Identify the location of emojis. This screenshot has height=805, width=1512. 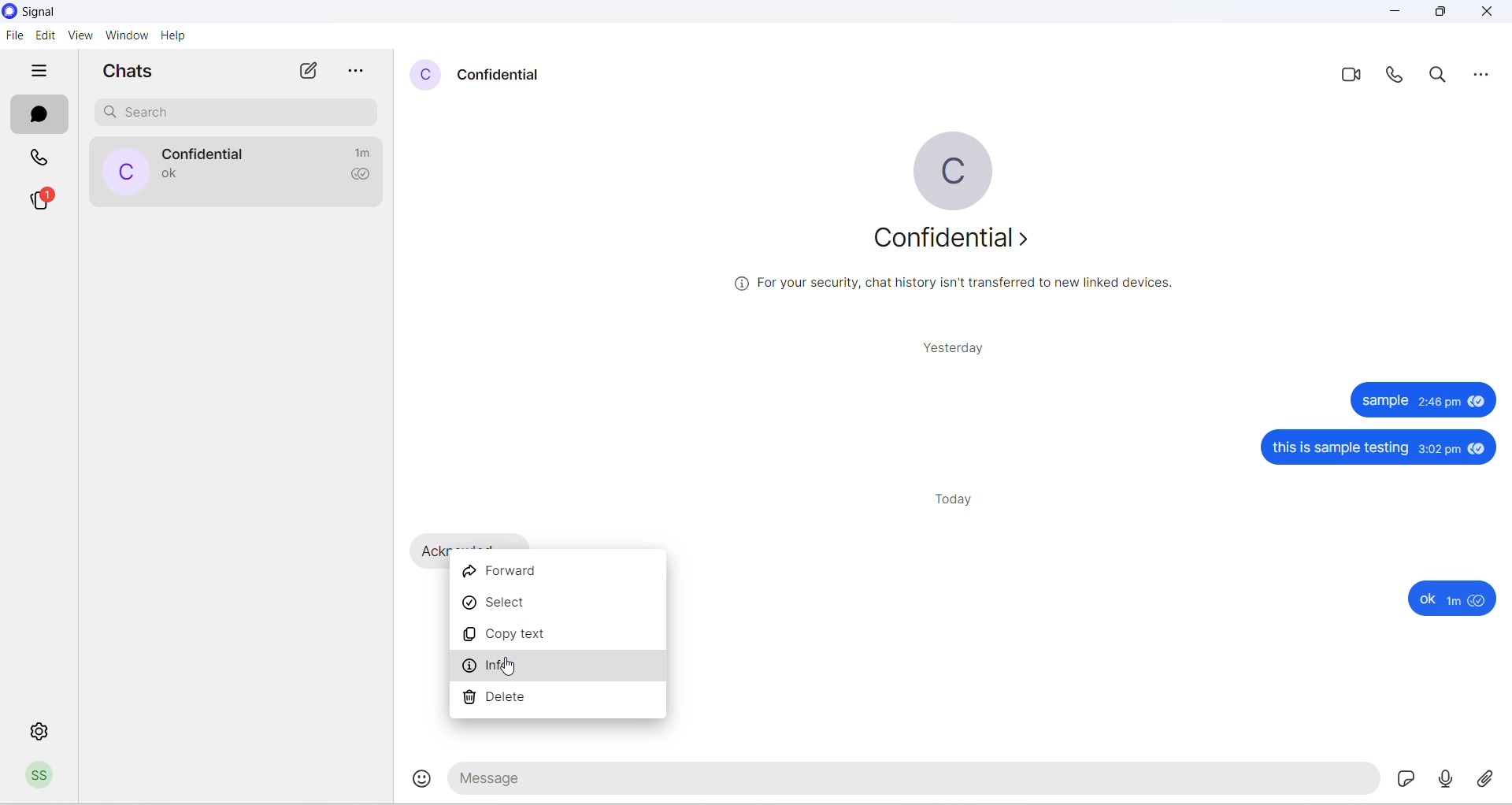
(417, 781).